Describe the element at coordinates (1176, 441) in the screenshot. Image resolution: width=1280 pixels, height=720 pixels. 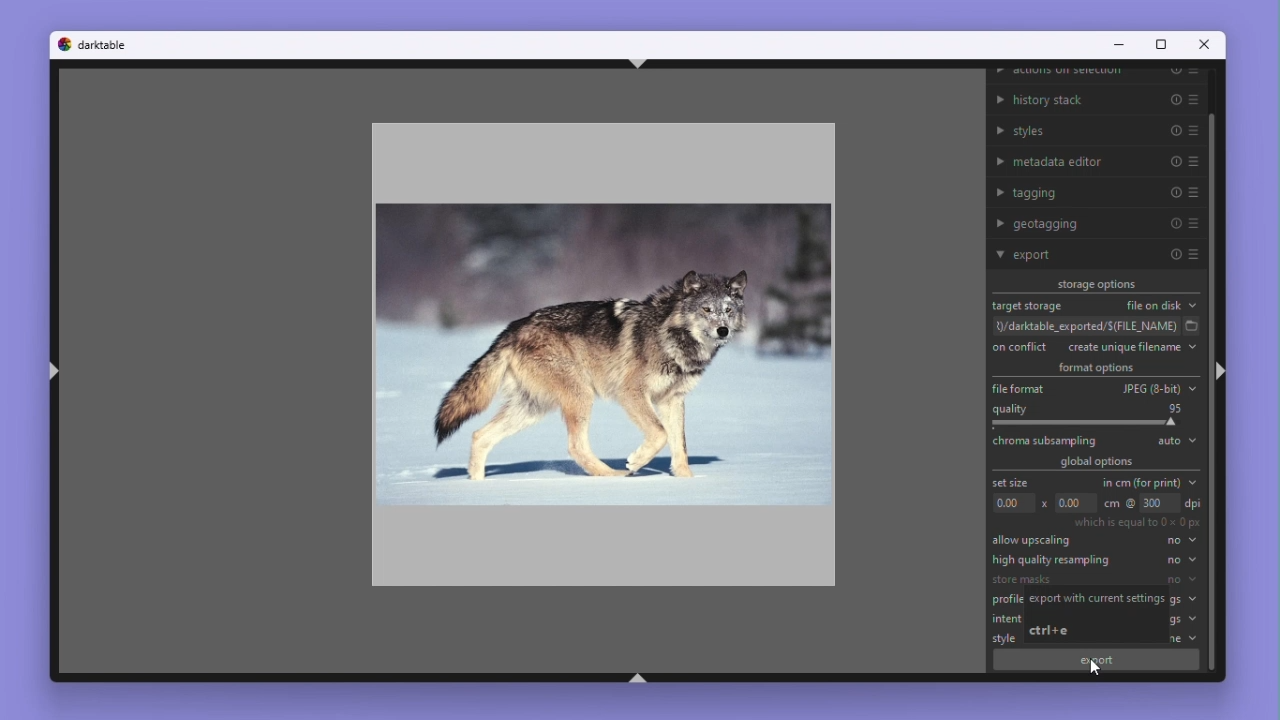
I see `Auto` at that location.